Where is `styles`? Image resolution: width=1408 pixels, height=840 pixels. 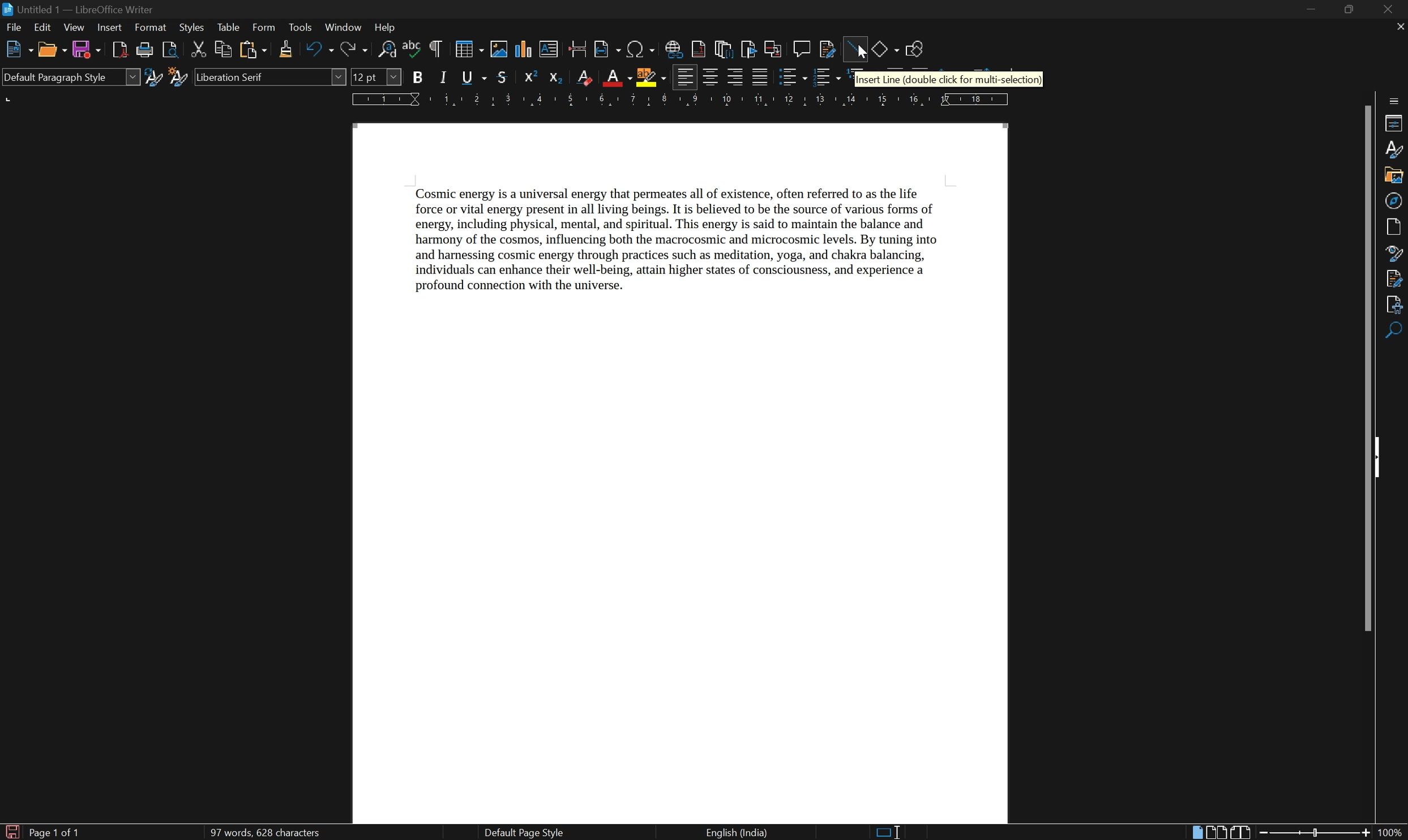 styles is located at coordinates (1394, 149).